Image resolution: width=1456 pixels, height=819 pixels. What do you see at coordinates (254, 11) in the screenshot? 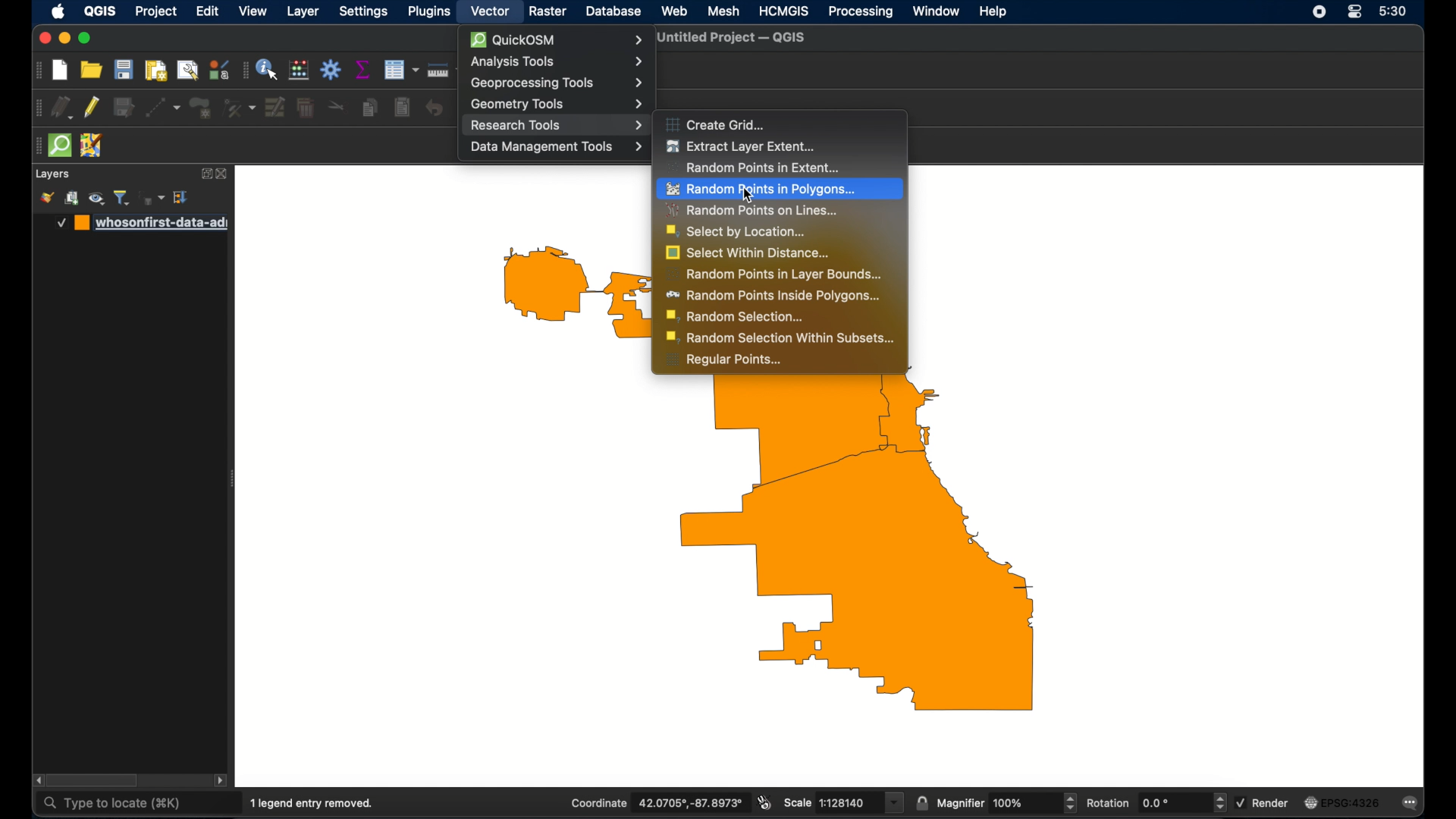
I see `view` at bounding box center [254, 11].